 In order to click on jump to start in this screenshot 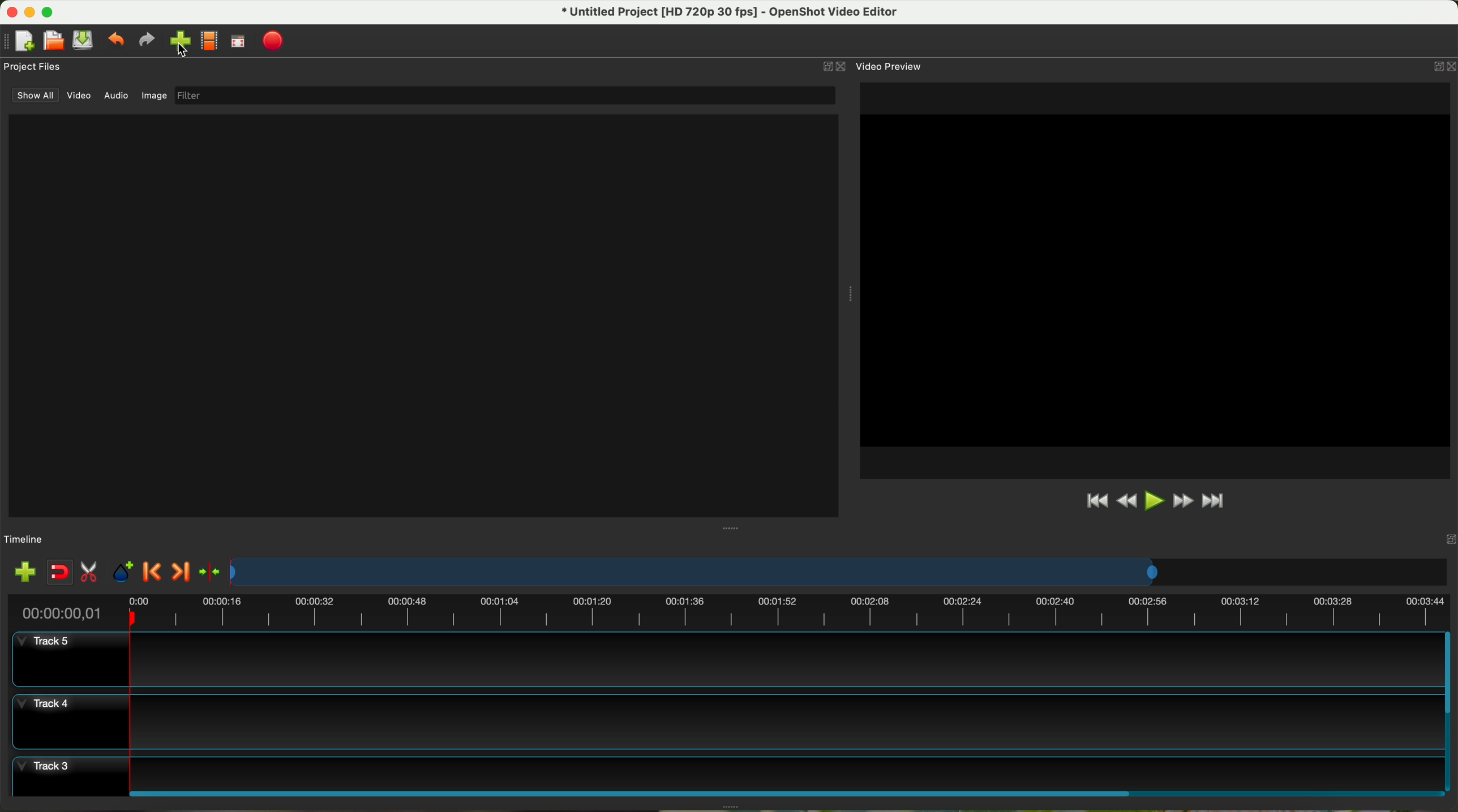, I will do `click(1096, 500)`.